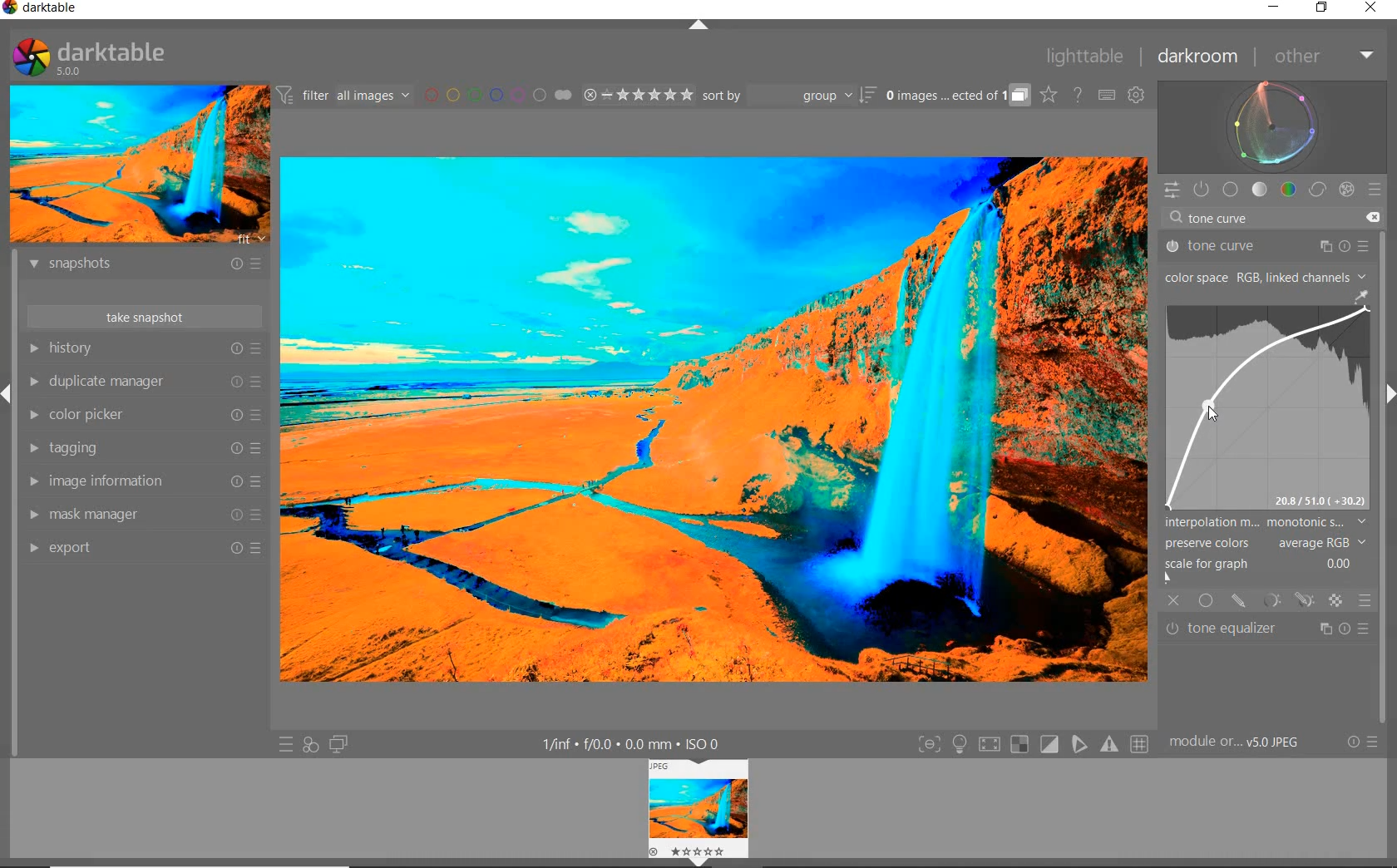 This screenshot has width=1397, height=868. What do you see at coordinates (1172, 190) in the screenshot?
I see `QUICK ACCESS PANEL` at bounding box center [1172, 190].